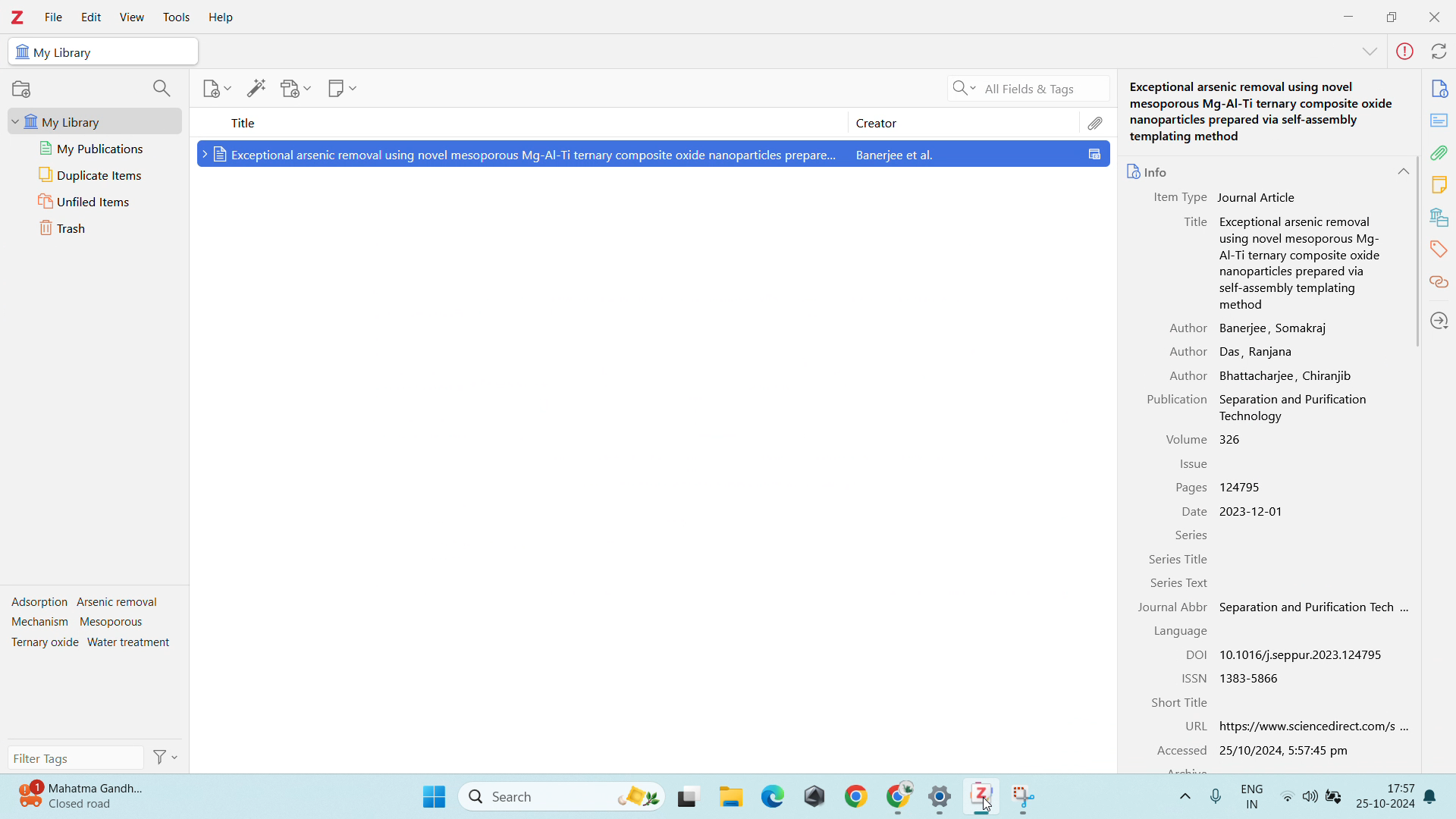 This screenshot has height=819, width=1456. I want to click on DOI 10.1016/j.seppur.2023.124795, so click(1284, 654).